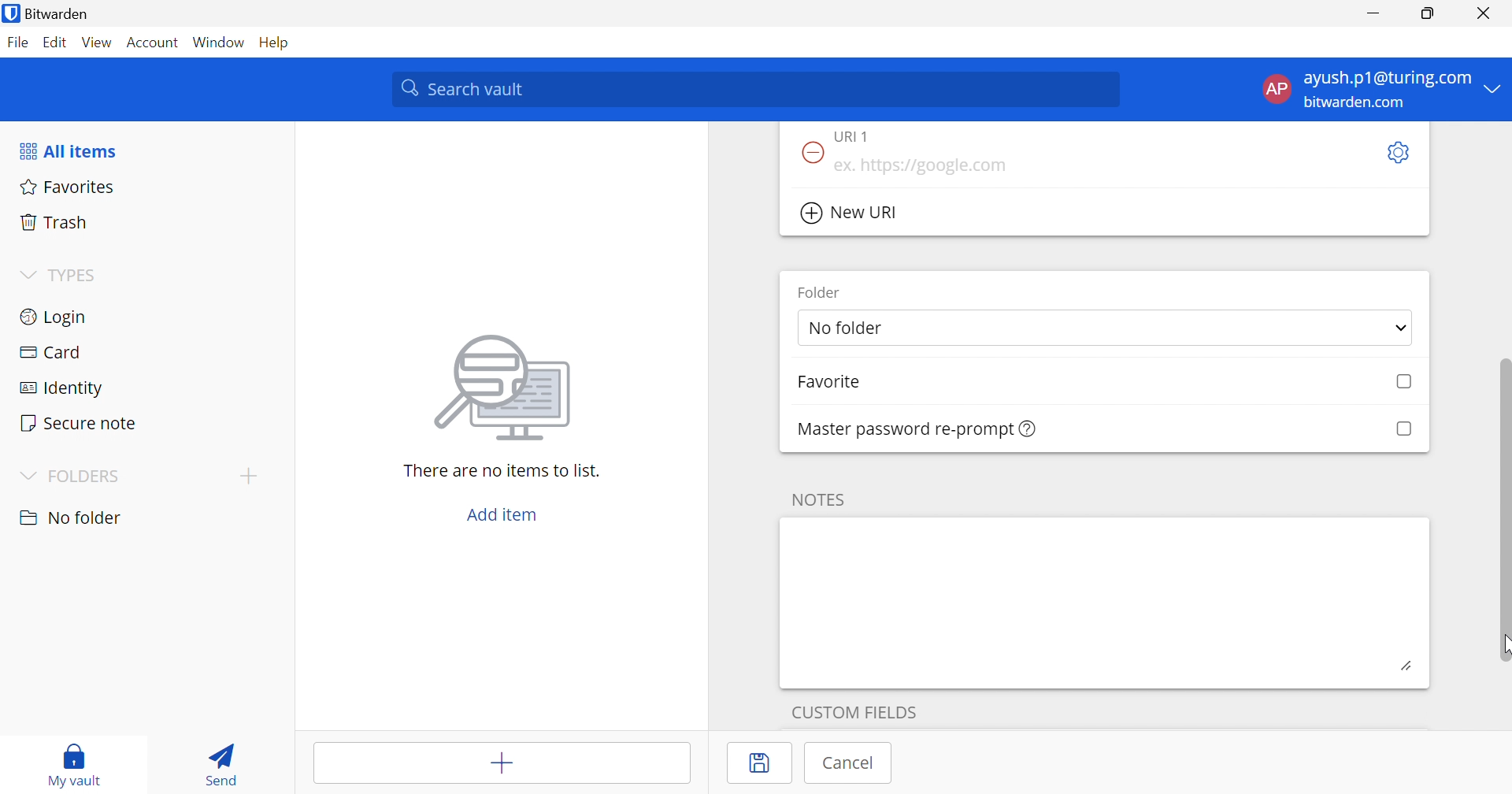  I want to click on Send, so click(217, 761).